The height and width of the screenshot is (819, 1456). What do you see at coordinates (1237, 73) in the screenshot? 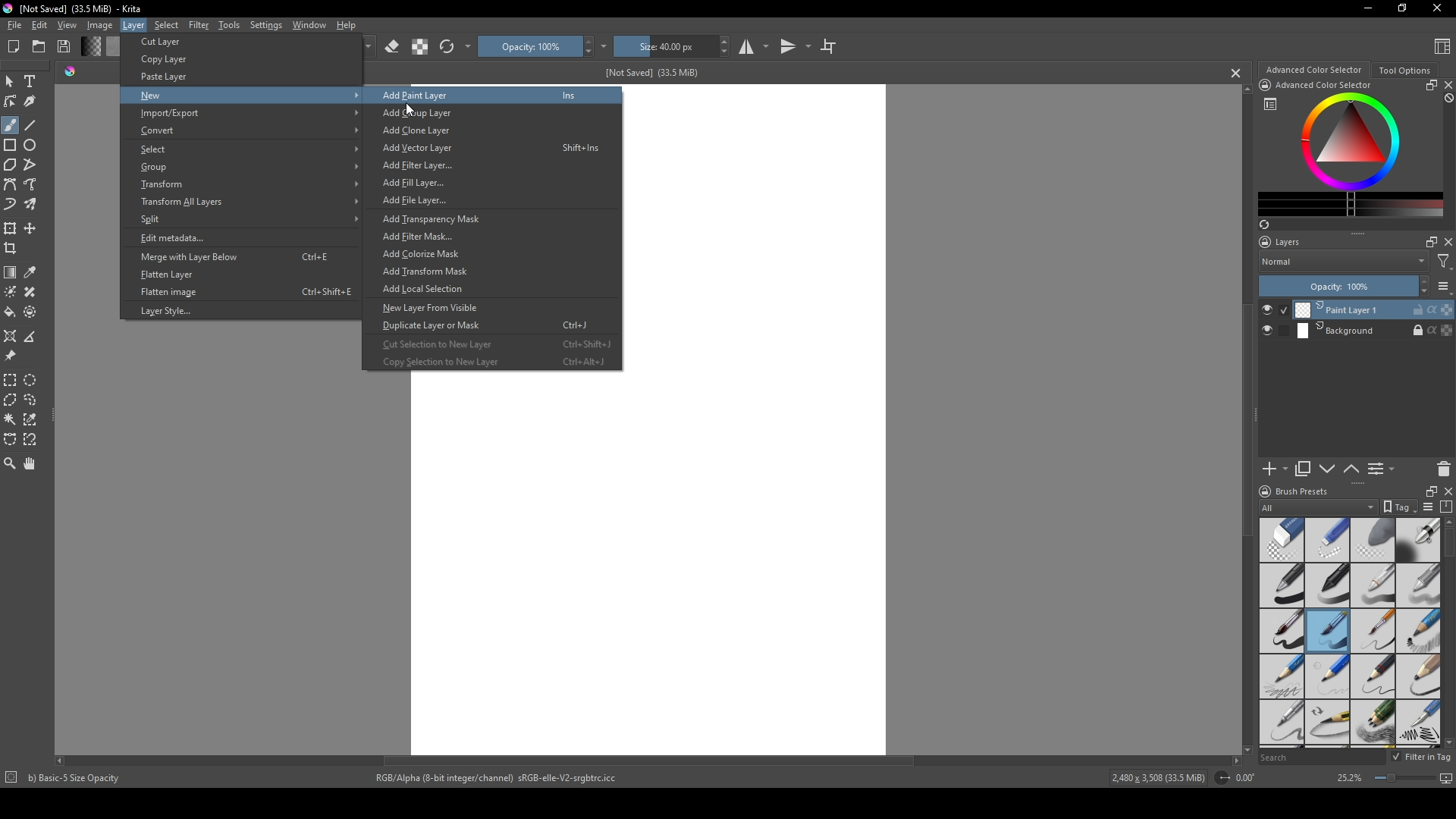
I see `cancel` at bounding box center [1237, 73].